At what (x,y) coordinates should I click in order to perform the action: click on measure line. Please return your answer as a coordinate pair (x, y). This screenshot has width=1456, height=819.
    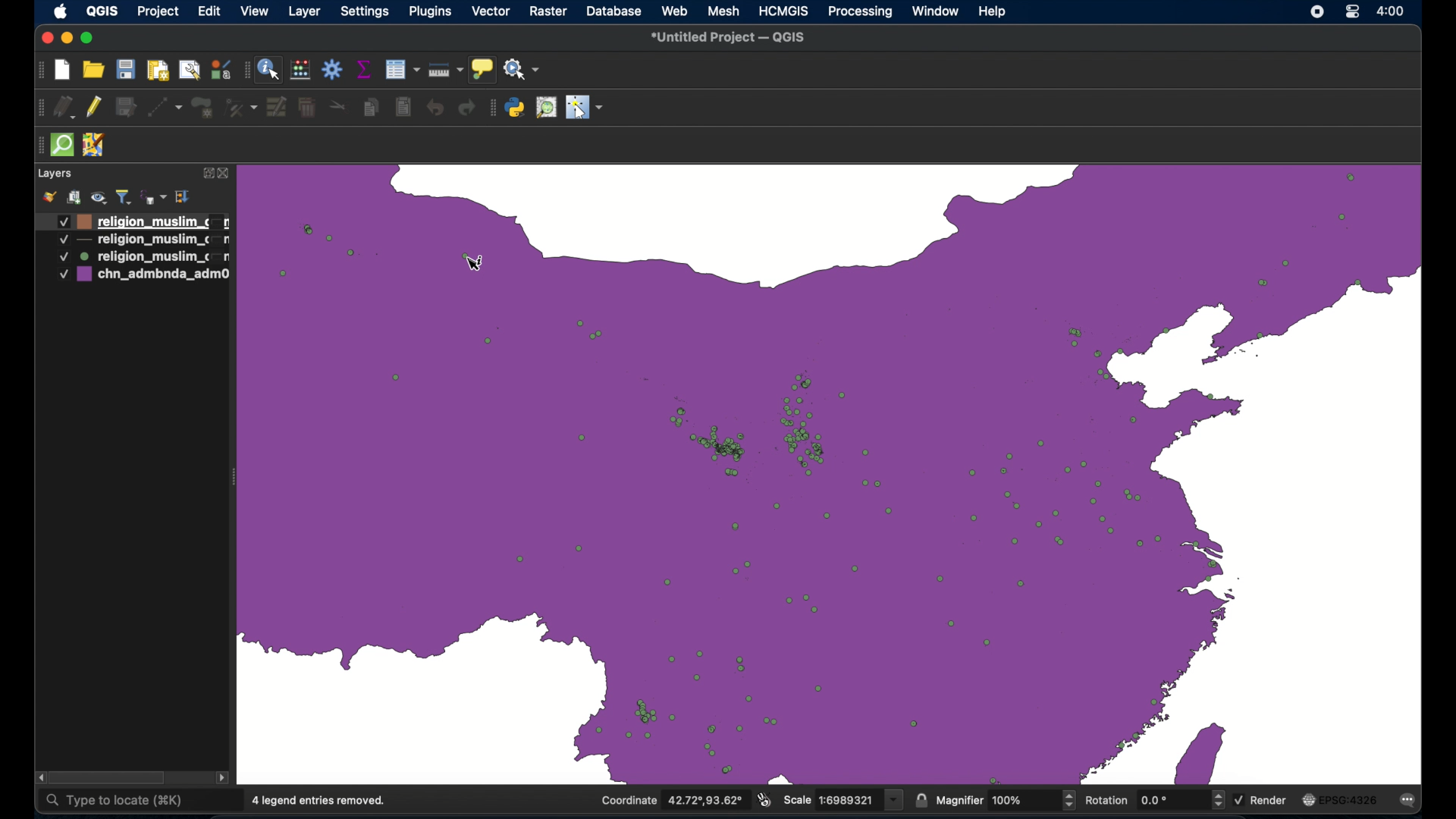
    Looking at the image, I should click on (447, 70).